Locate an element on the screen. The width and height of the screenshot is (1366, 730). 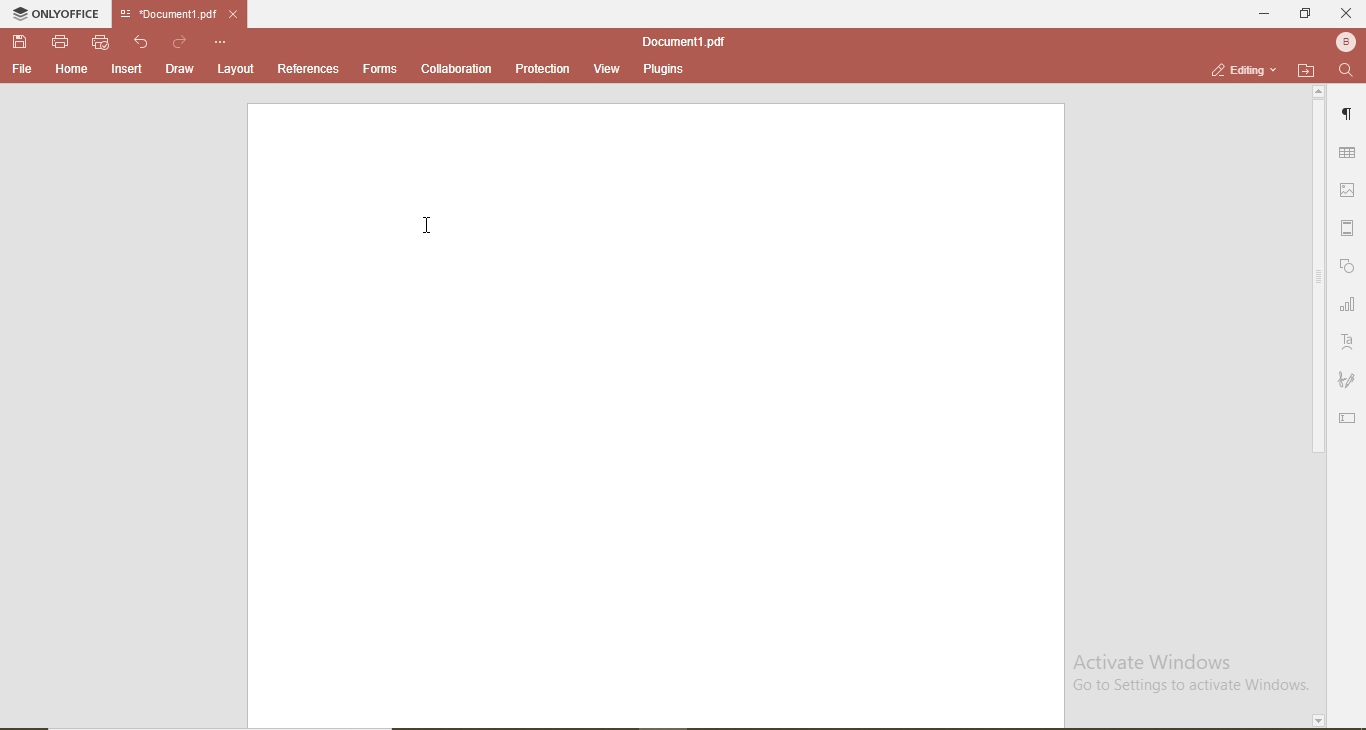
editing is located at coordinates (1246, 68).